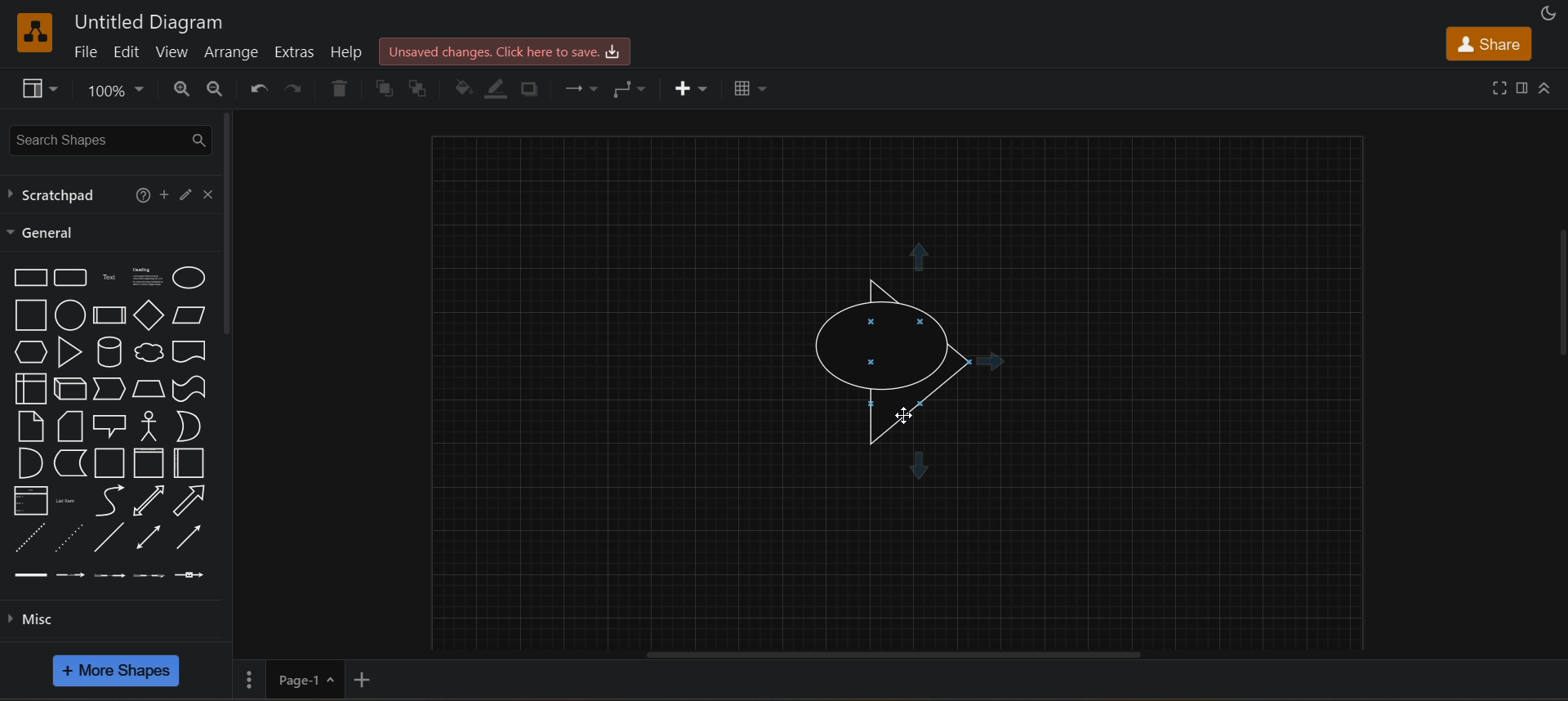 This screenshot has width=1568, height=701. Describe the element at coordinates (30, 315) in the screenshot. I see `square` at that location.